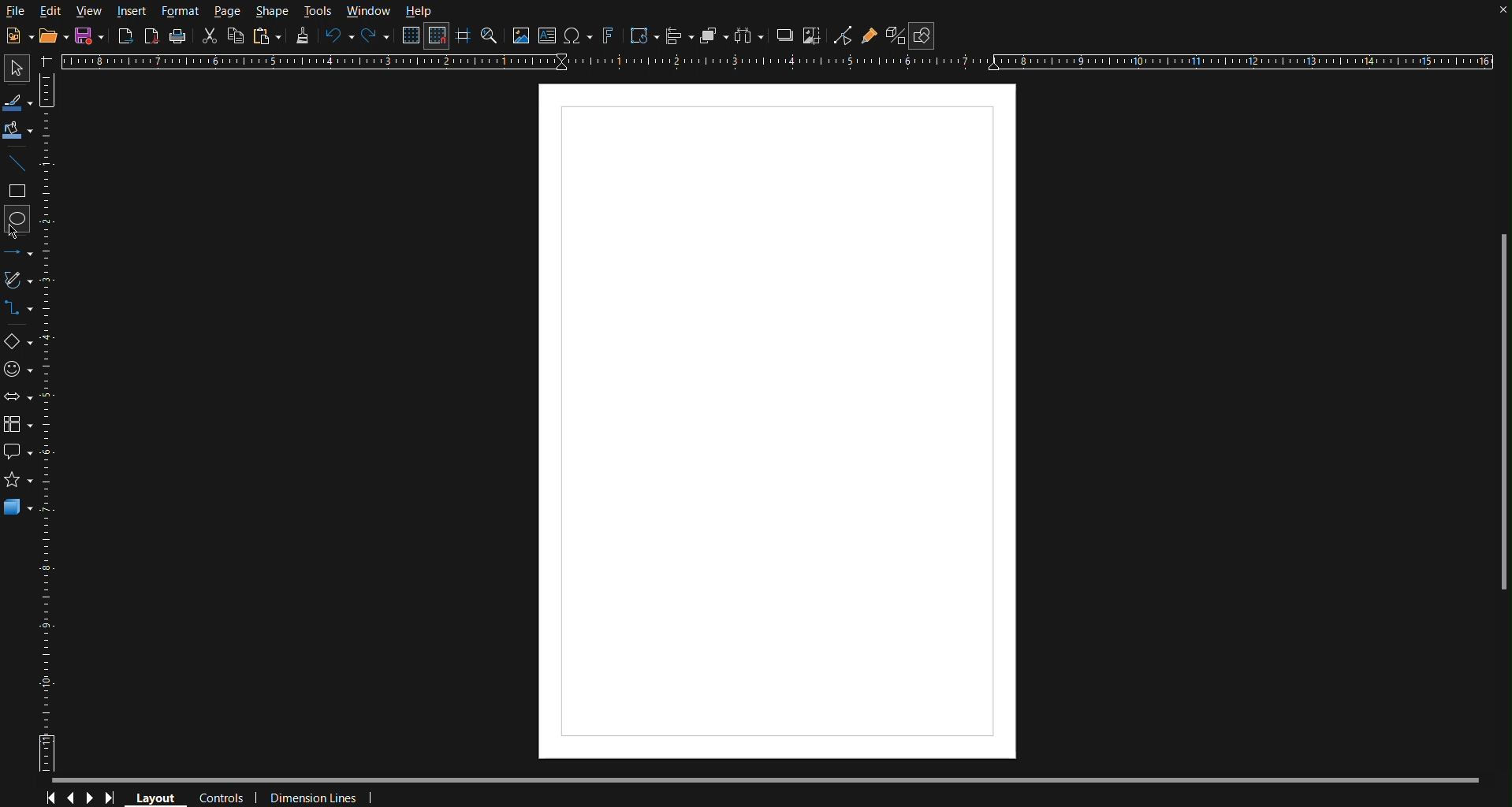 The image size is (1512, 807). What do you see at coordinates (608, 36) in the screenshot?
I see `Fontworks` at bounding box center [608, 36].